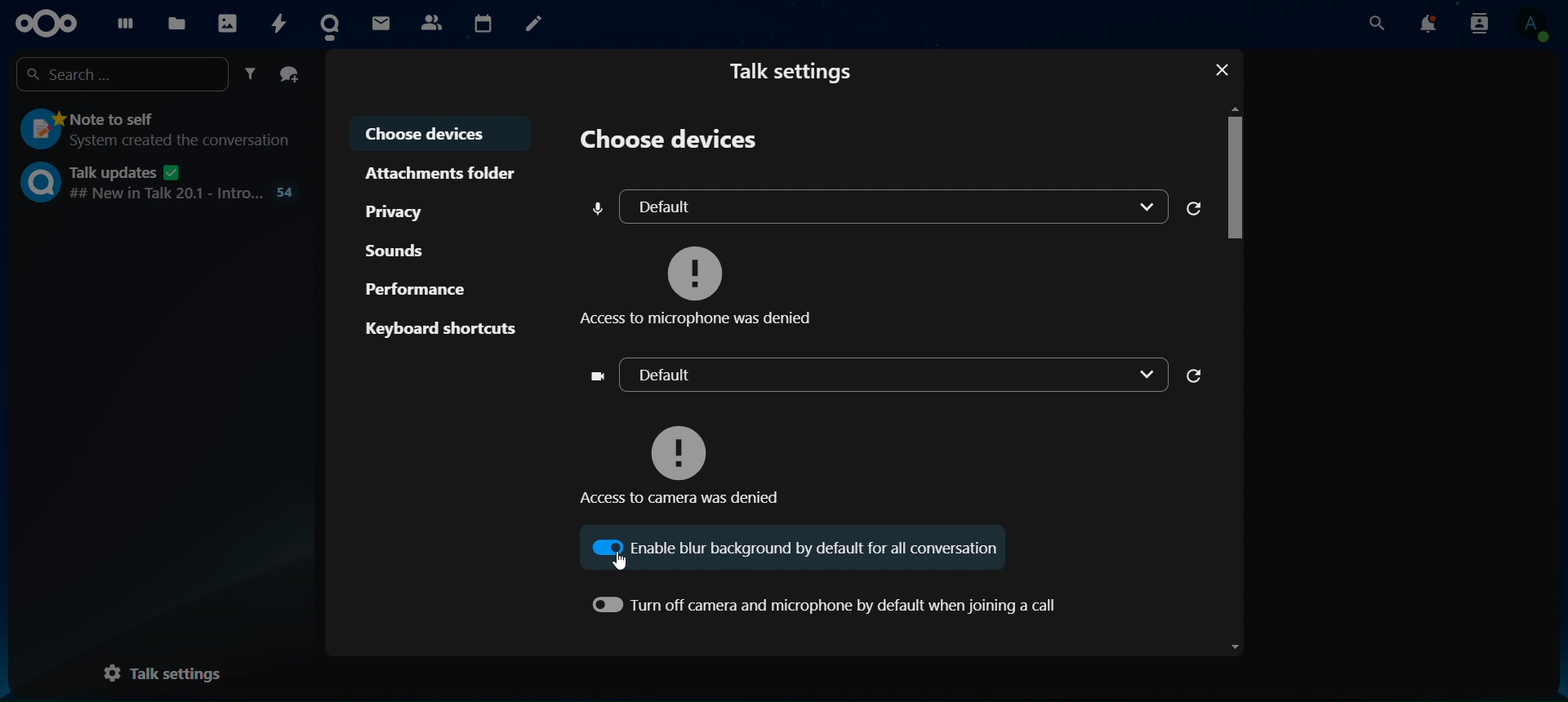 The width and height of the screenshot is (1568, 702). I want to click on files, so click(176, 24).